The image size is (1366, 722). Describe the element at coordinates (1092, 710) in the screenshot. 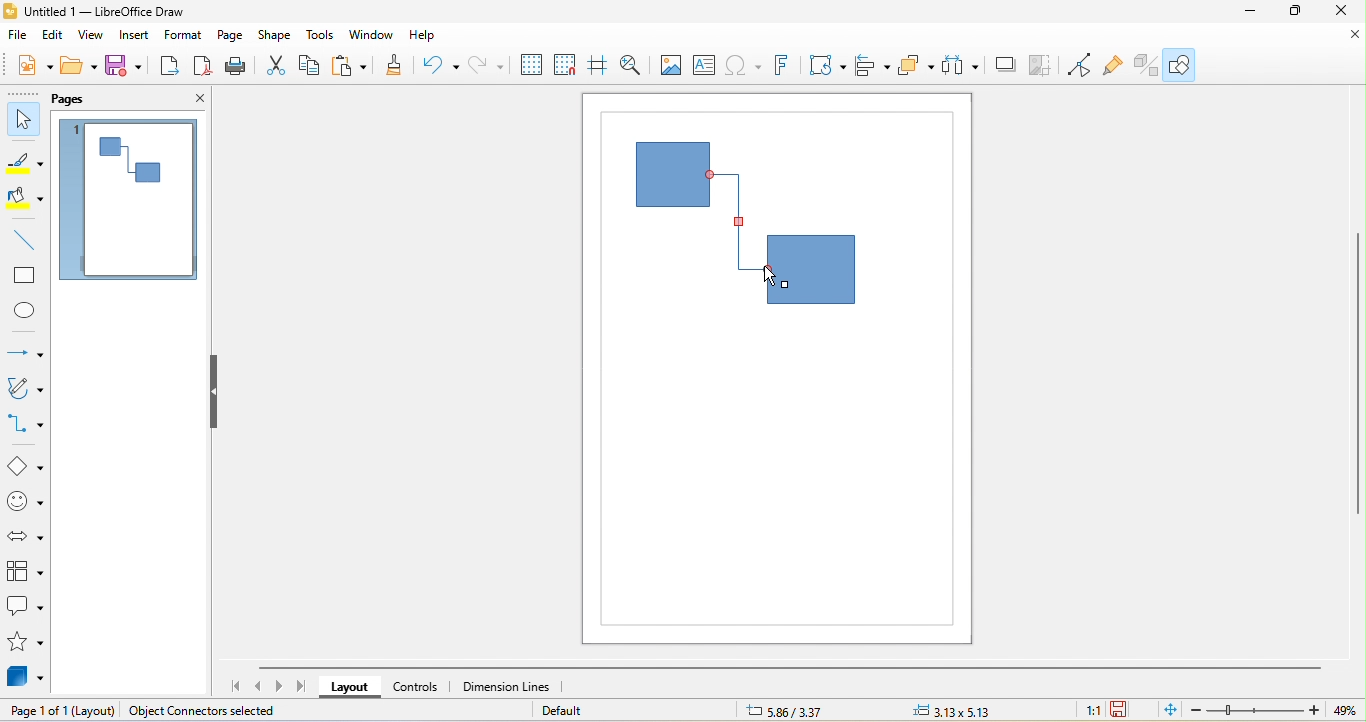

I see `1:1` at that location.